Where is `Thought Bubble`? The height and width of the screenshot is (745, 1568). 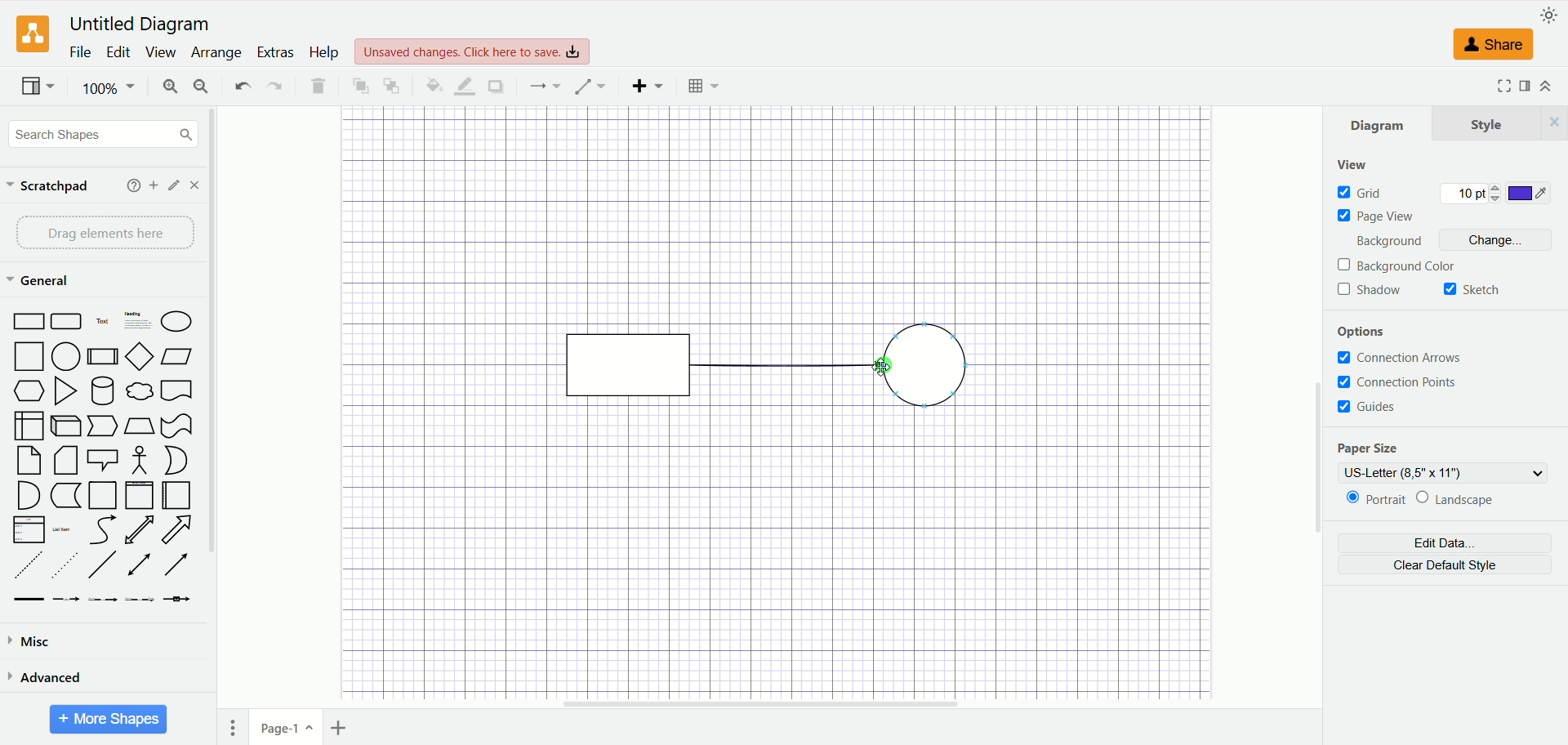
Thought Bubble is located at coordinates (141, 391).